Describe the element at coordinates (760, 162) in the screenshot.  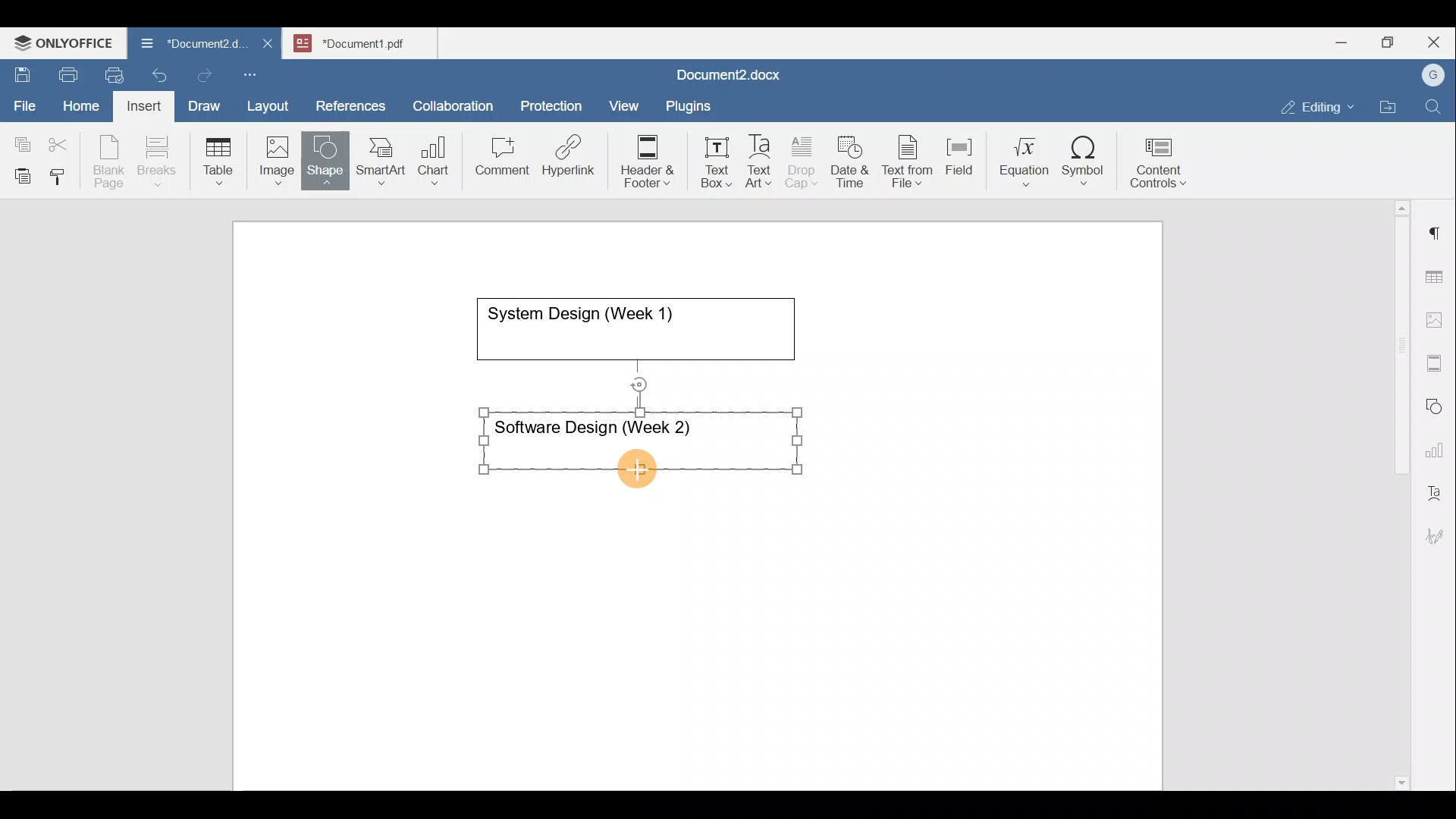
I see `Text Art` at that location.